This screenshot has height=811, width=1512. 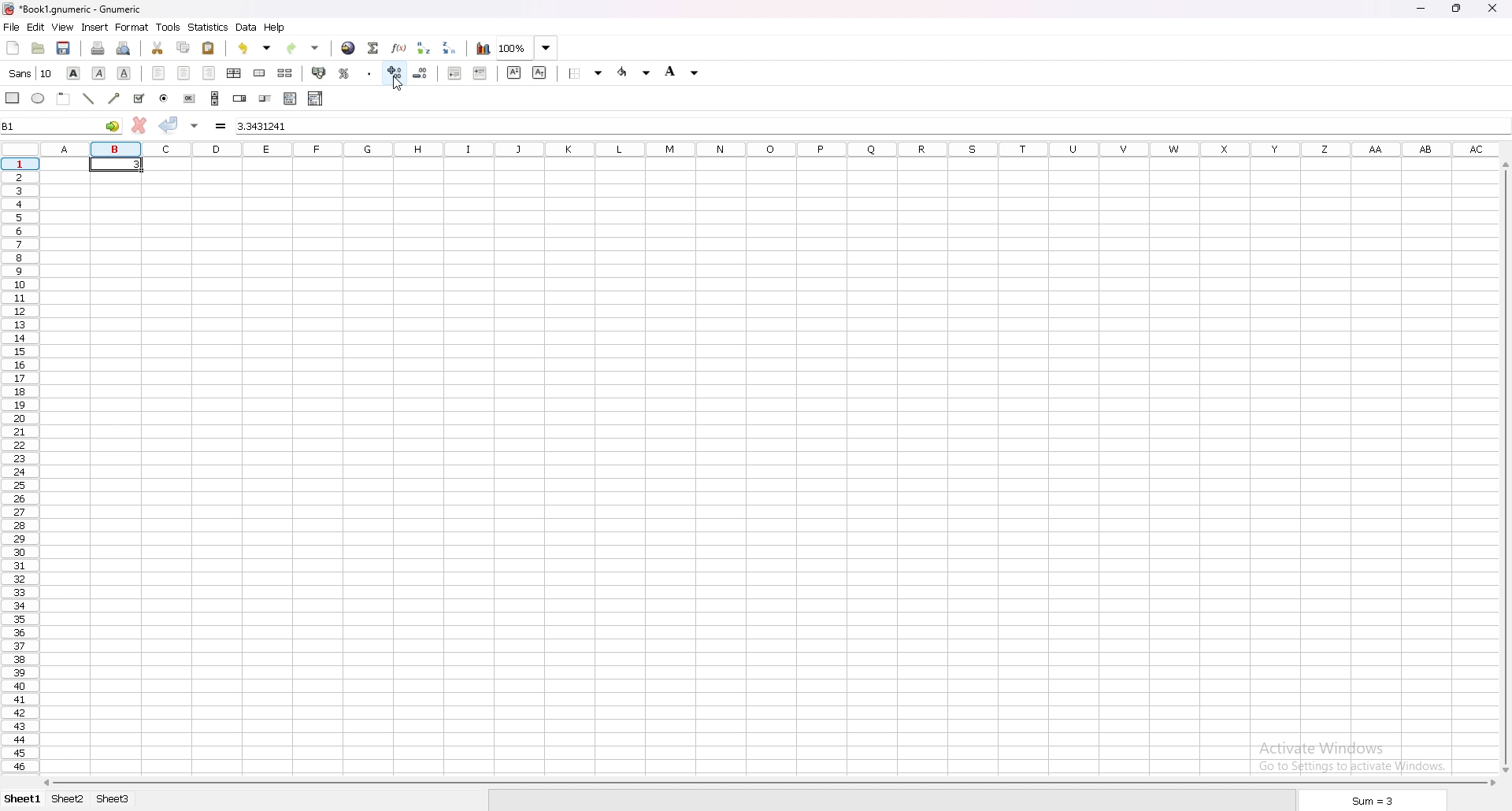 What do you see at coordinates (290, 98) in the screenshot?
I see `list` at bounding box center [290, 98].